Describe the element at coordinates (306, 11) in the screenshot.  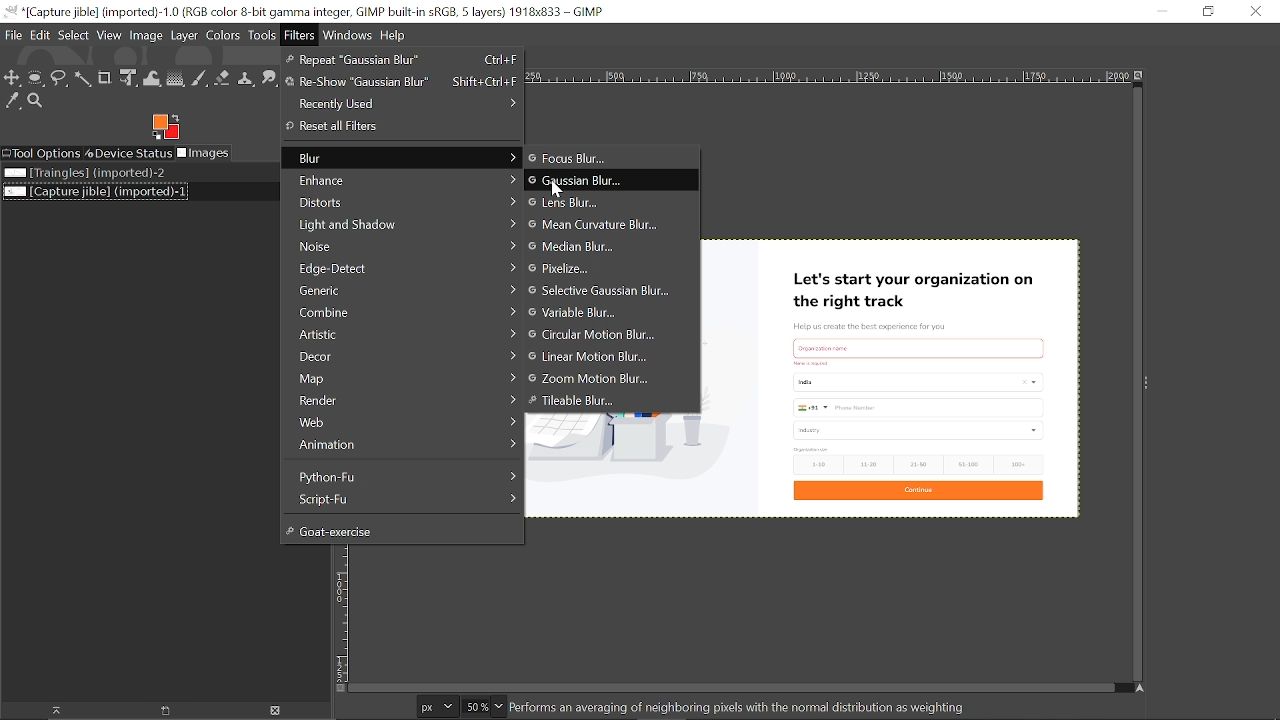
I see `Current window` at that location.